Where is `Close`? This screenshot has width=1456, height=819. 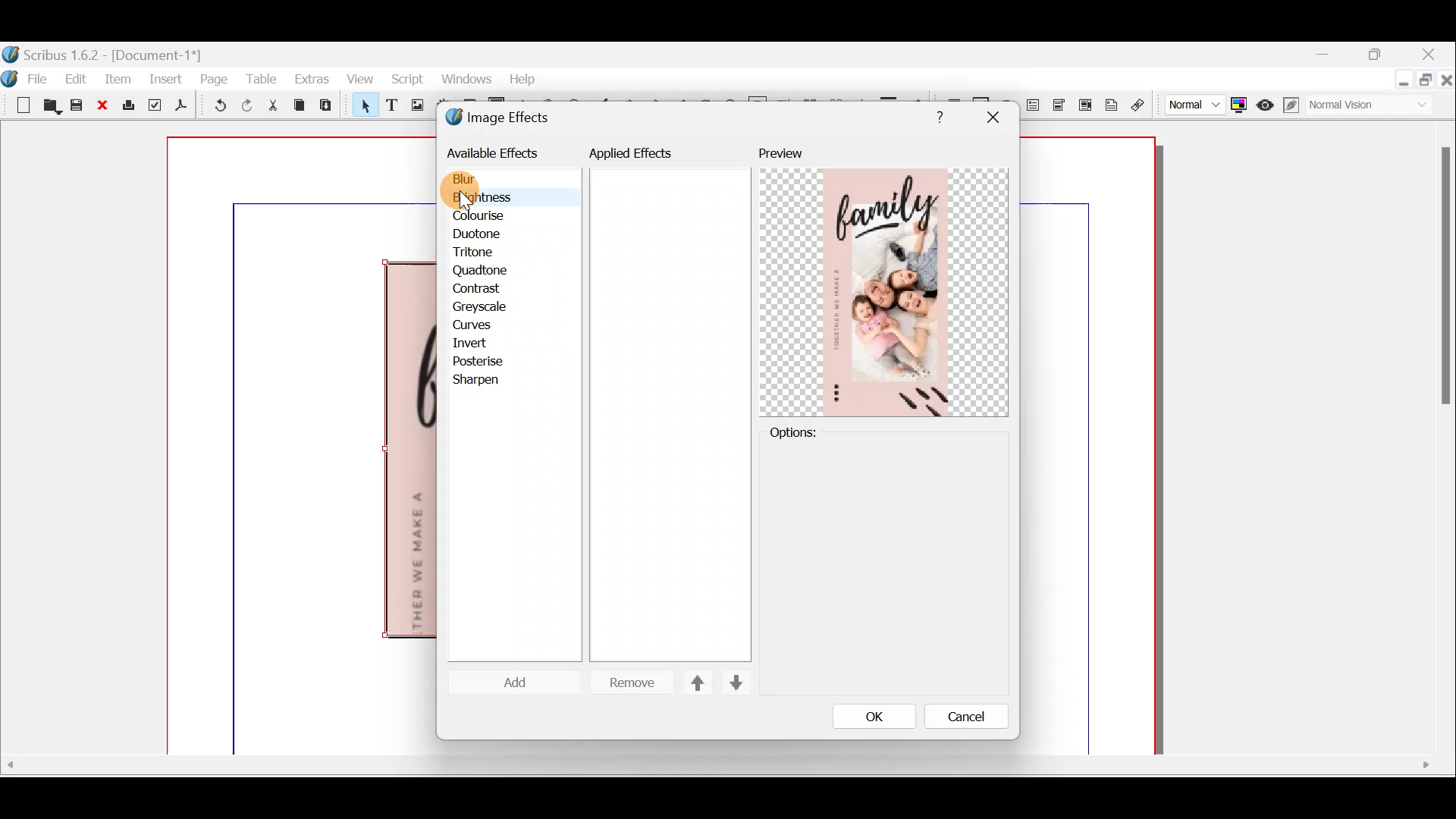 Close is located at coordinates (1430, 56).